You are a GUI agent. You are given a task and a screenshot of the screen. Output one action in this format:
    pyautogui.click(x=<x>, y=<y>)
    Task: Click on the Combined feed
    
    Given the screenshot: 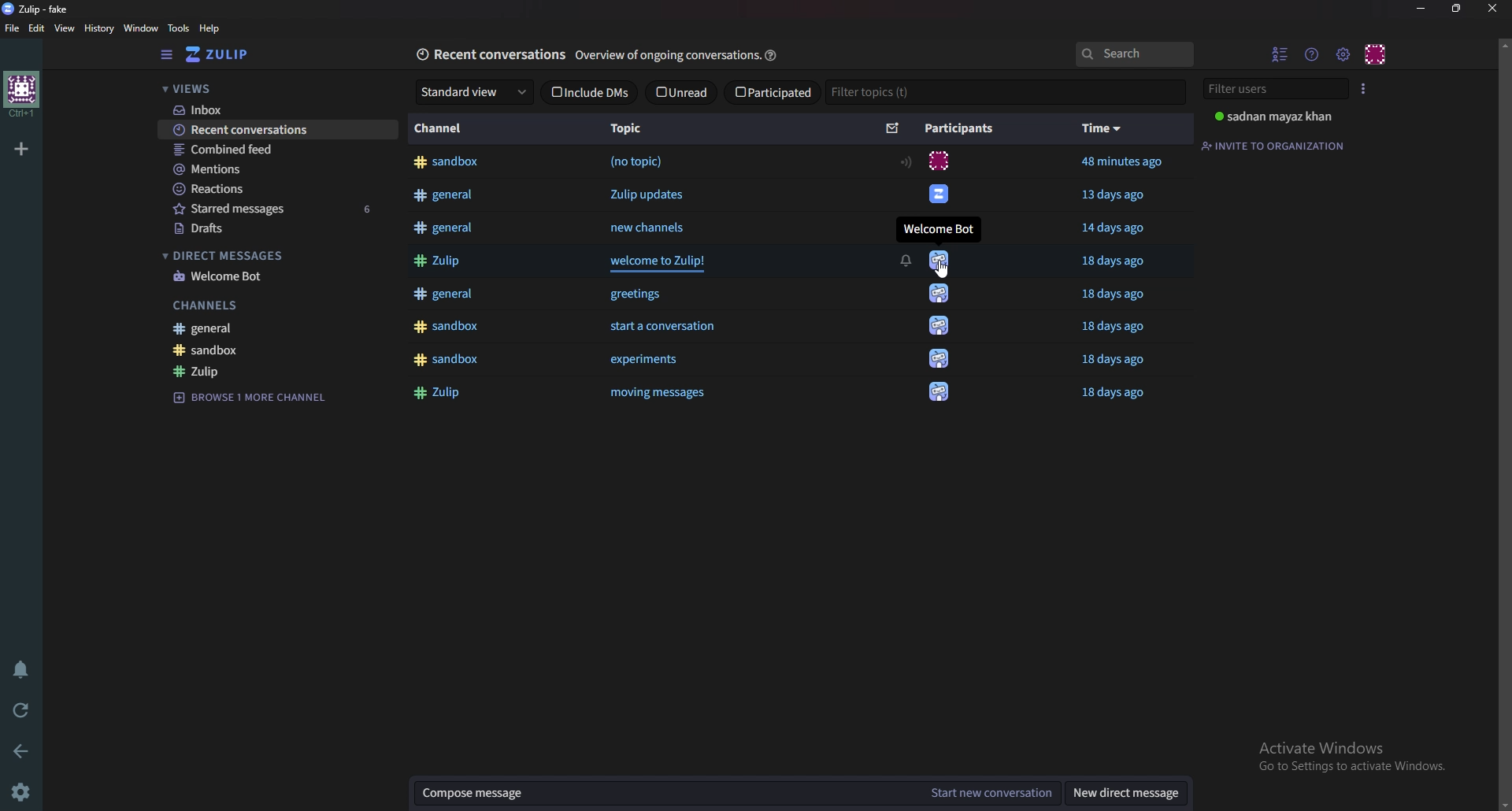 What is the action you would take?
    pyautogui.click(x=272, y=150)
    